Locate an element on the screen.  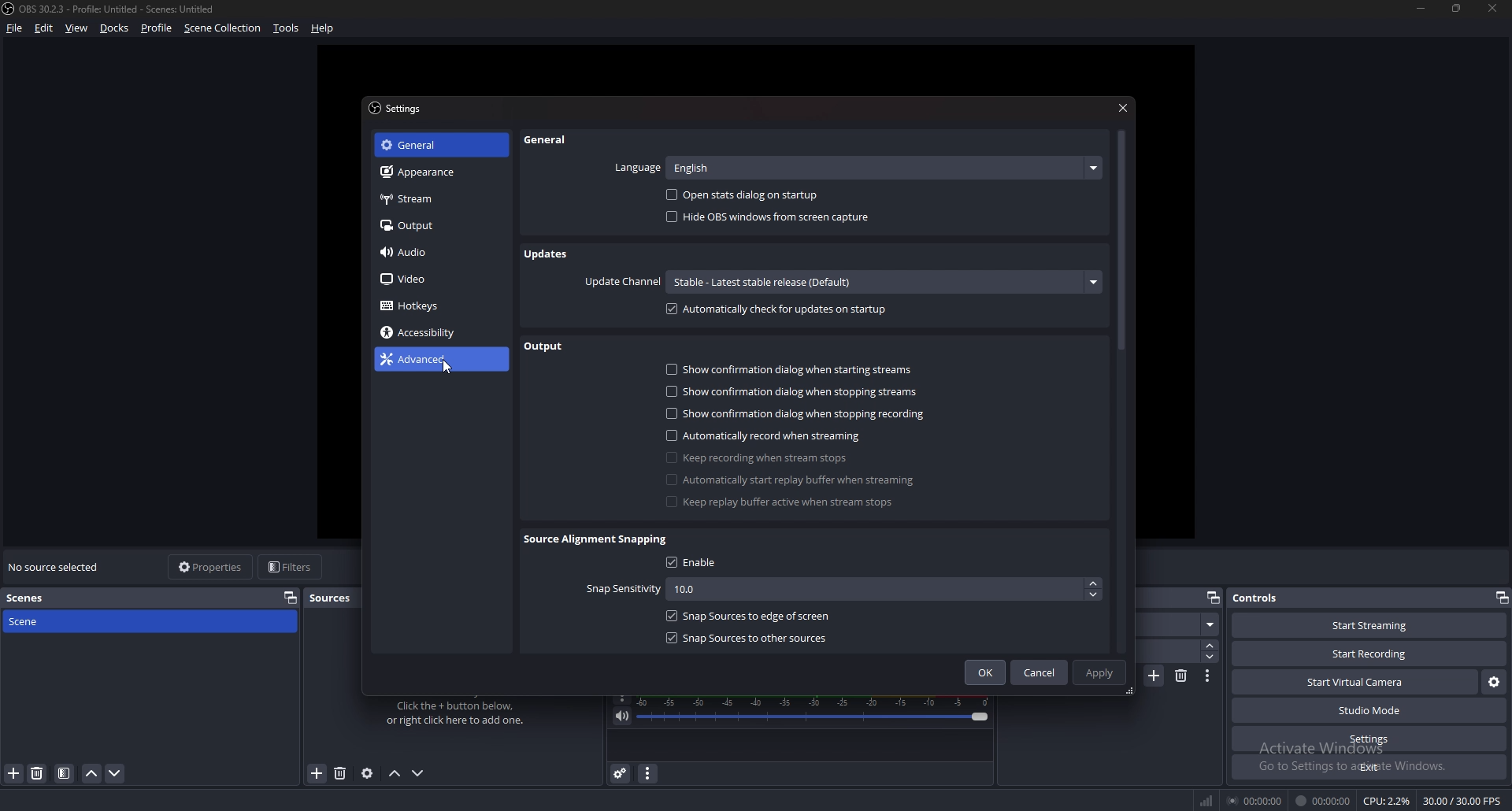
scenes is located at coordinates (31, 598).